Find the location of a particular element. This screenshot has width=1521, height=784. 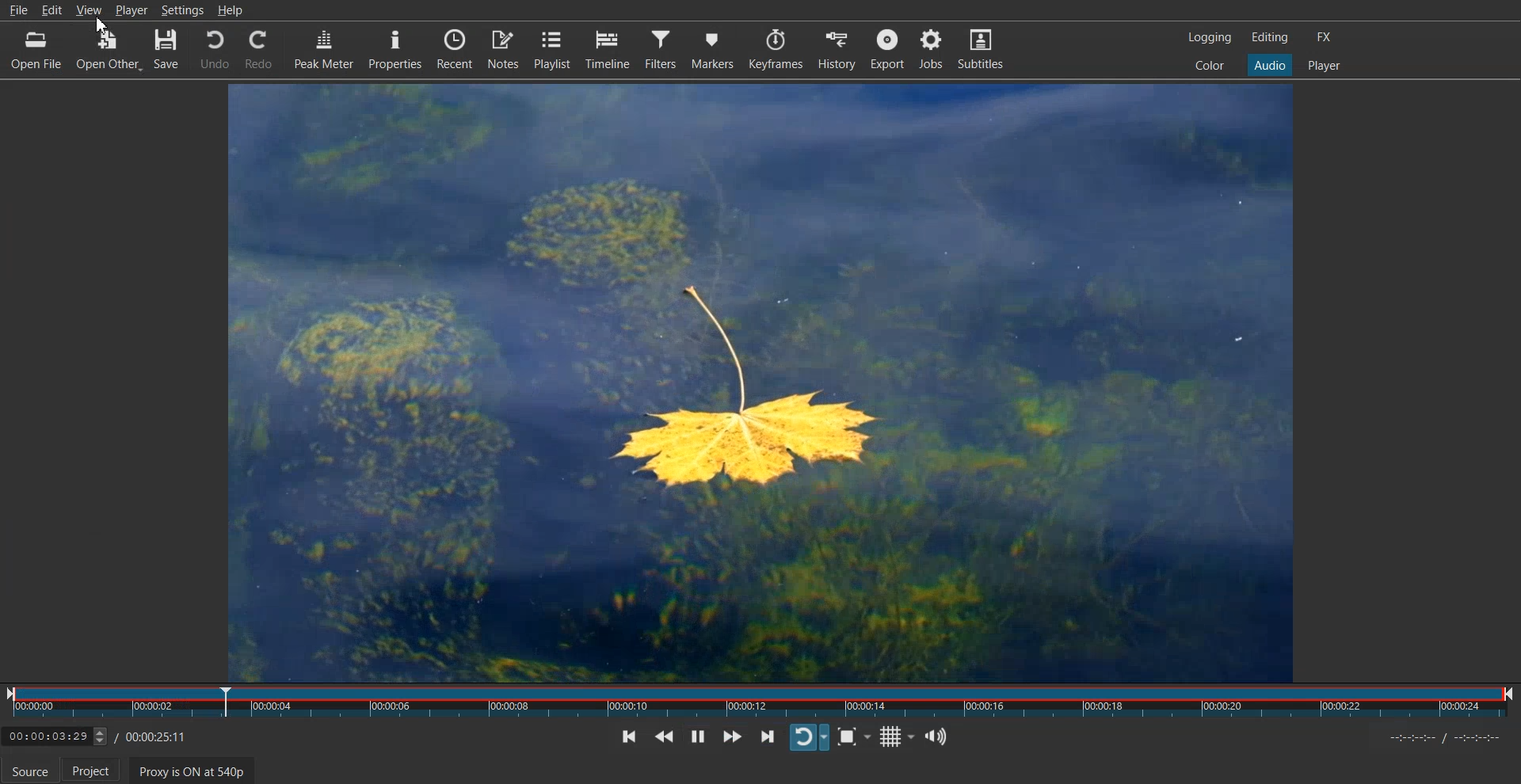

Subtitles is located at coordinates (981, 48).